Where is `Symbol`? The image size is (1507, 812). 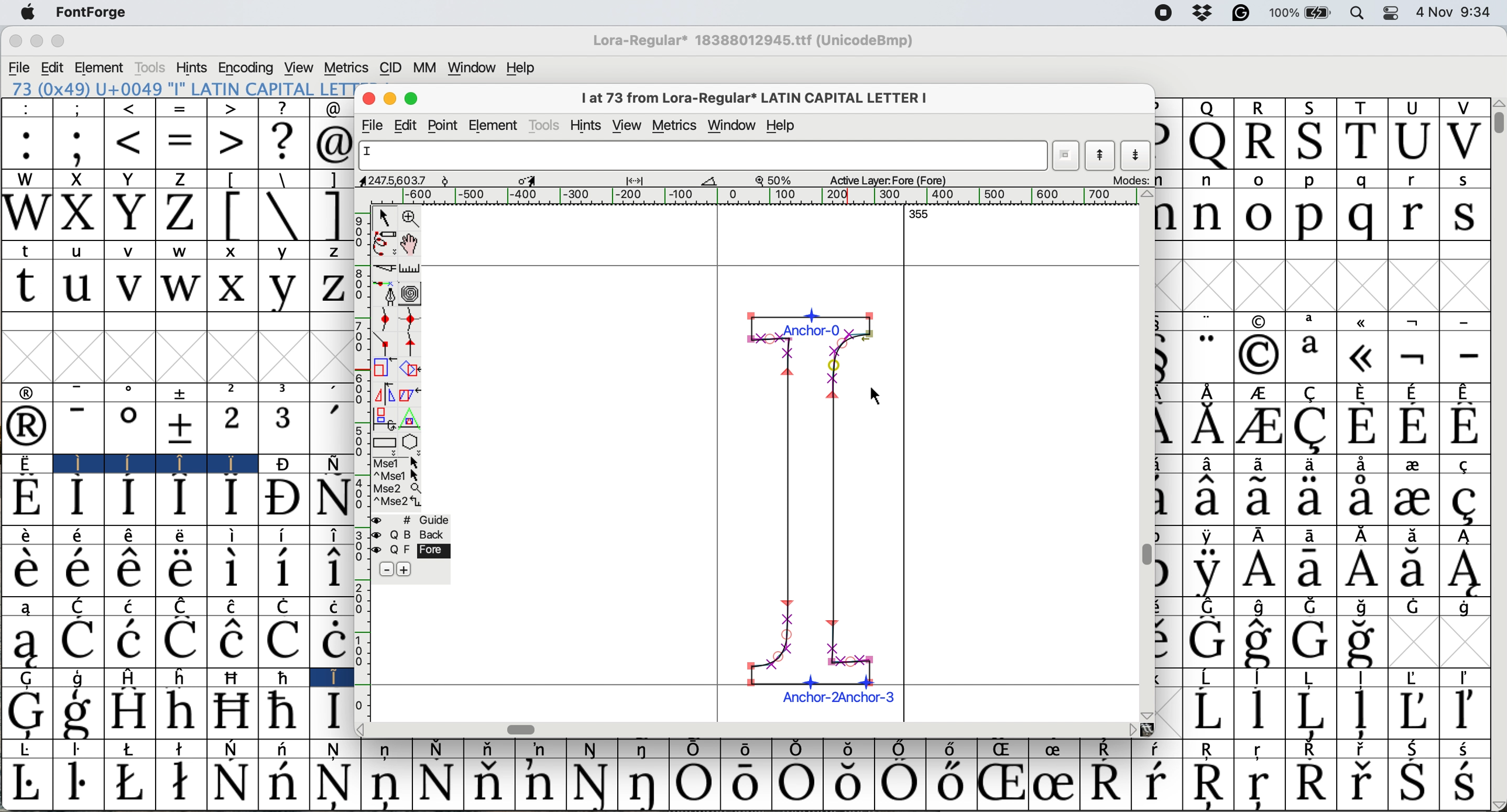 Symbol is located at coordinates (1317, 678).